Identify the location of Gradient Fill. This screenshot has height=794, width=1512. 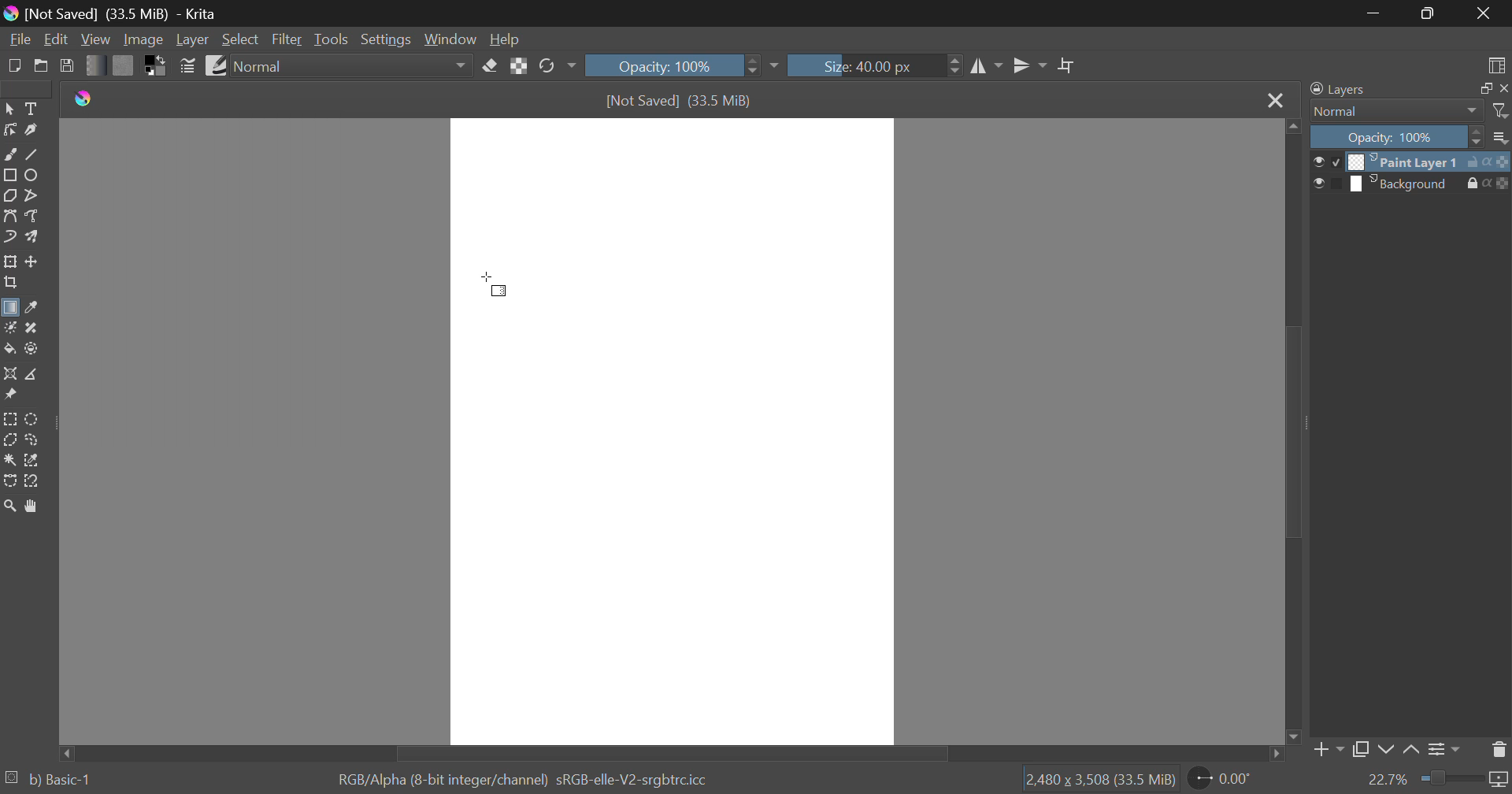
(9, 310).